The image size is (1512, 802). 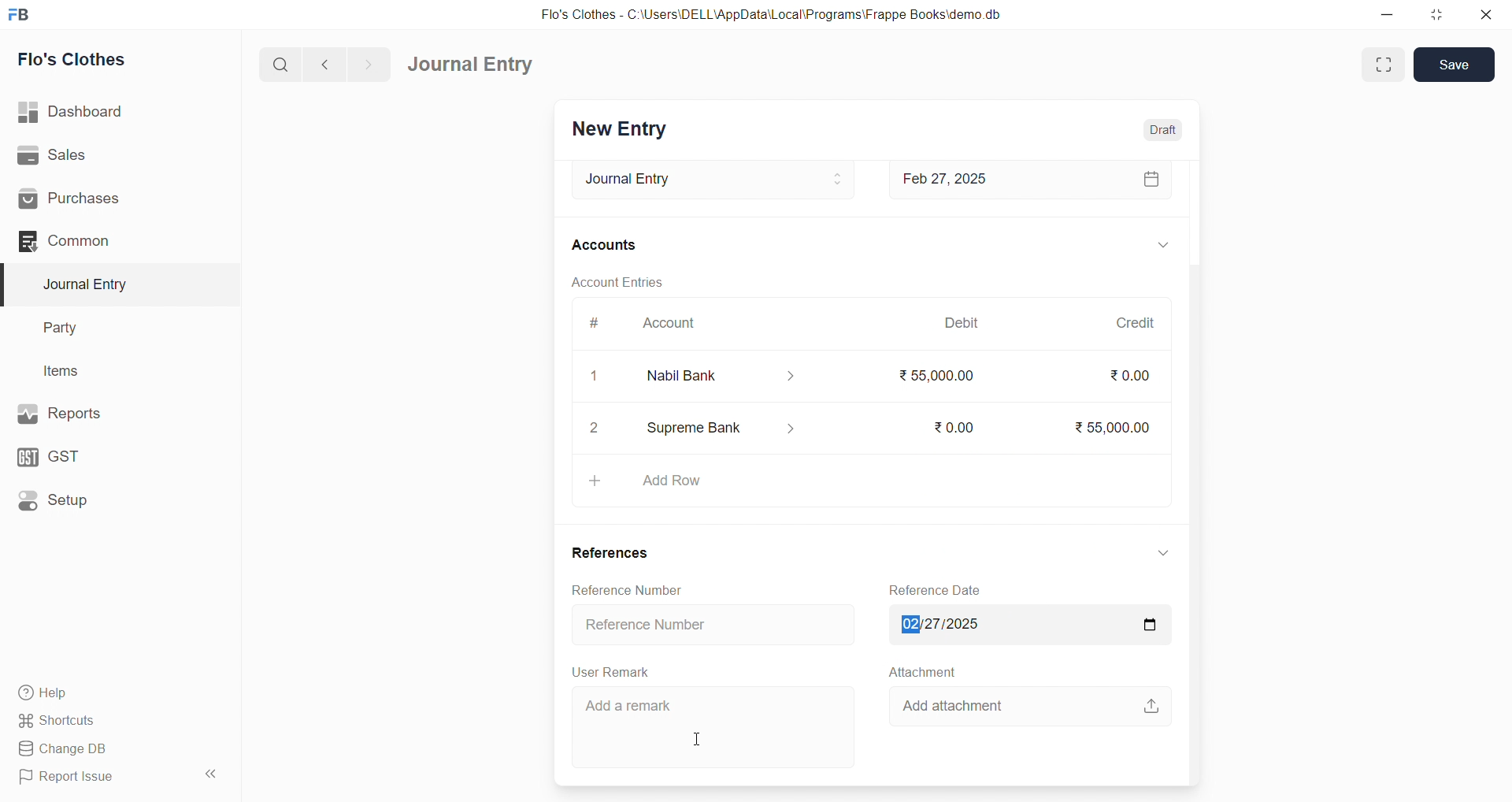 What do you see at coordinates (80, 59) in the screenshot?
I see `Flo's Clothes` at bounding box center [80, 59].